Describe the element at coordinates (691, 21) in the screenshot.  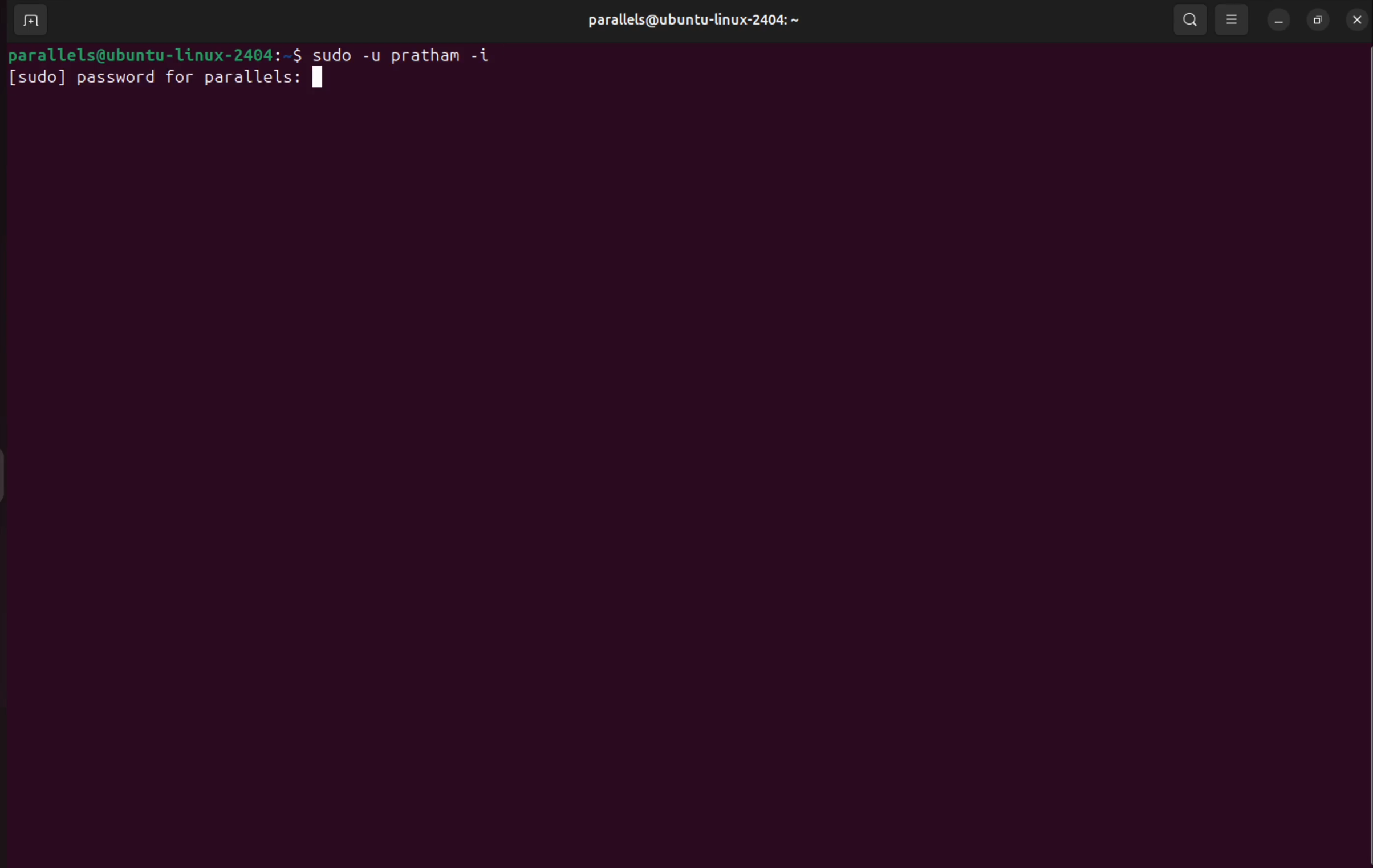
I see `parallels username` at that location.